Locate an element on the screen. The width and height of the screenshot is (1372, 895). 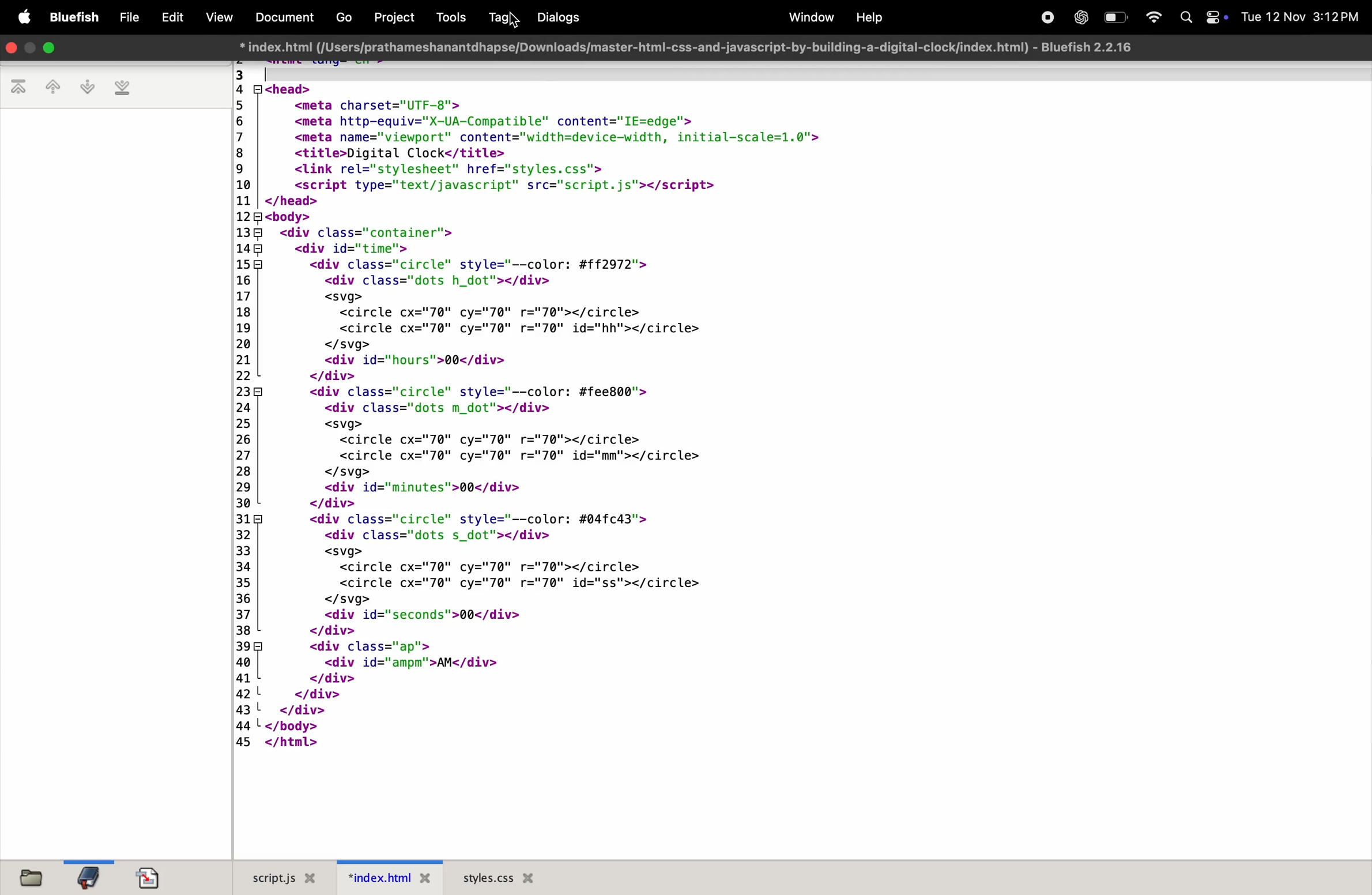
previous book mark is located at coordinates (52, 89).